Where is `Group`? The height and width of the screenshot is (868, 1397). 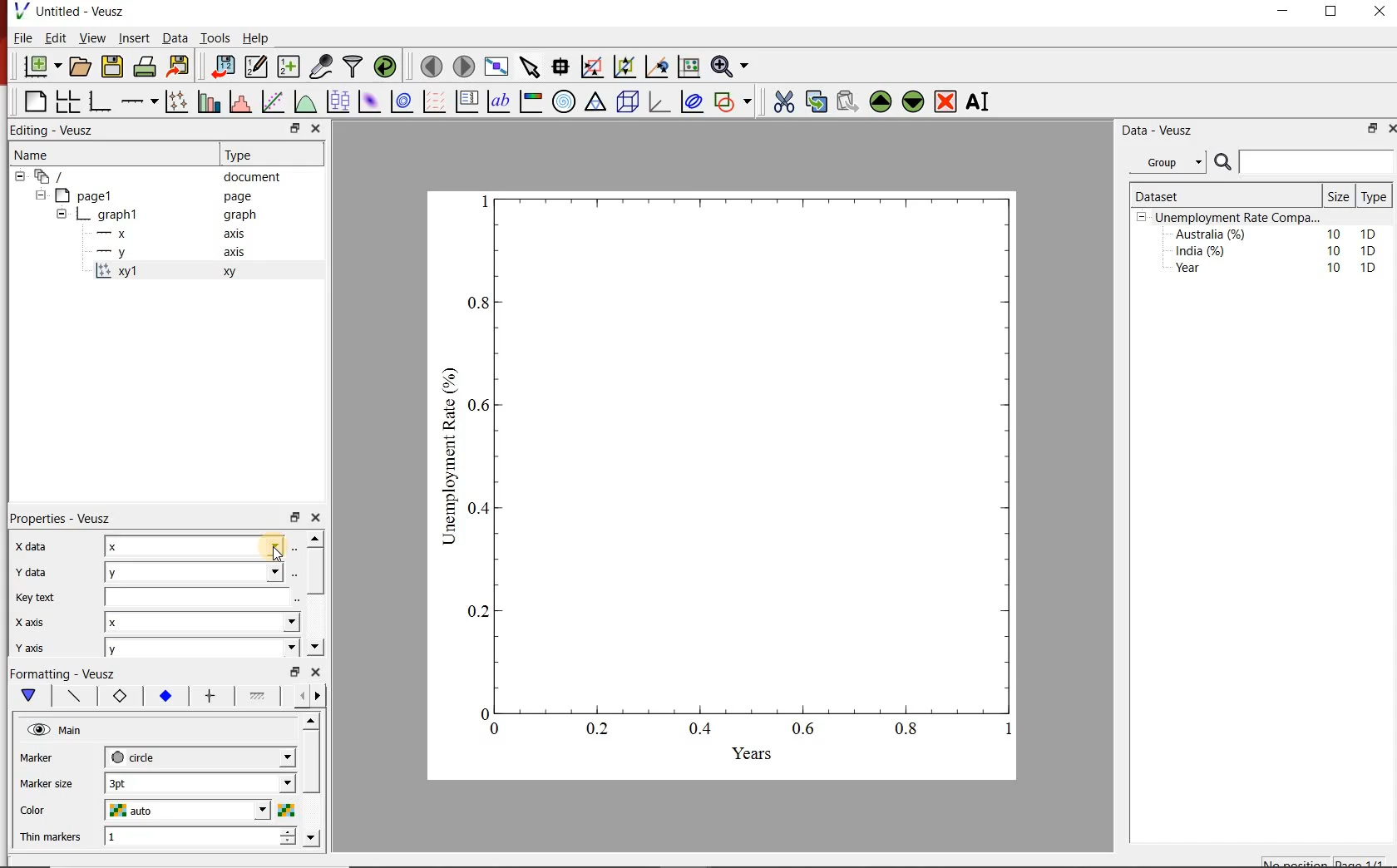
Group is located at coordinates (1170, 162).